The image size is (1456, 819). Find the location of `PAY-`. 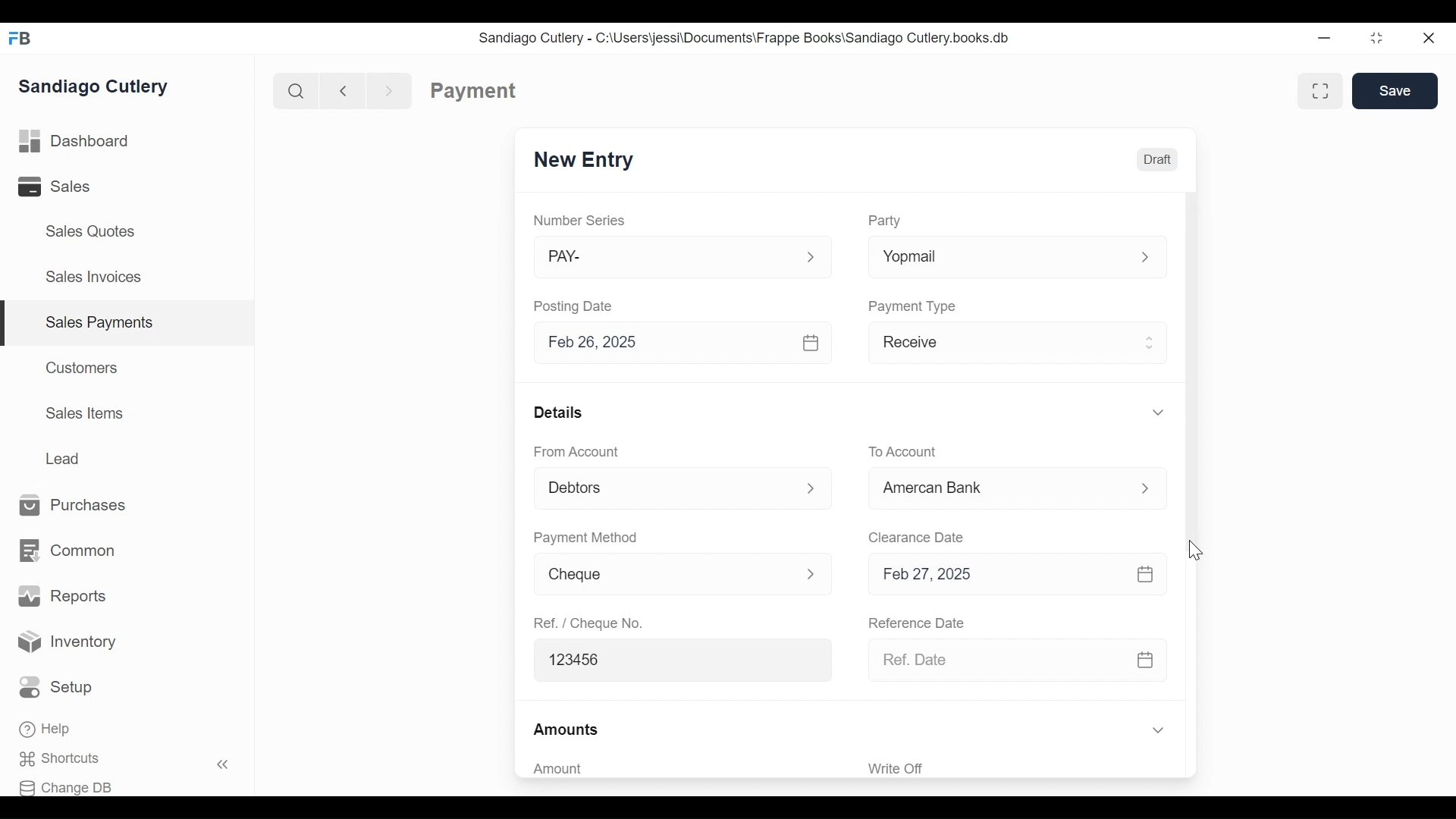

PAY- is located at coordinates (666, 259).